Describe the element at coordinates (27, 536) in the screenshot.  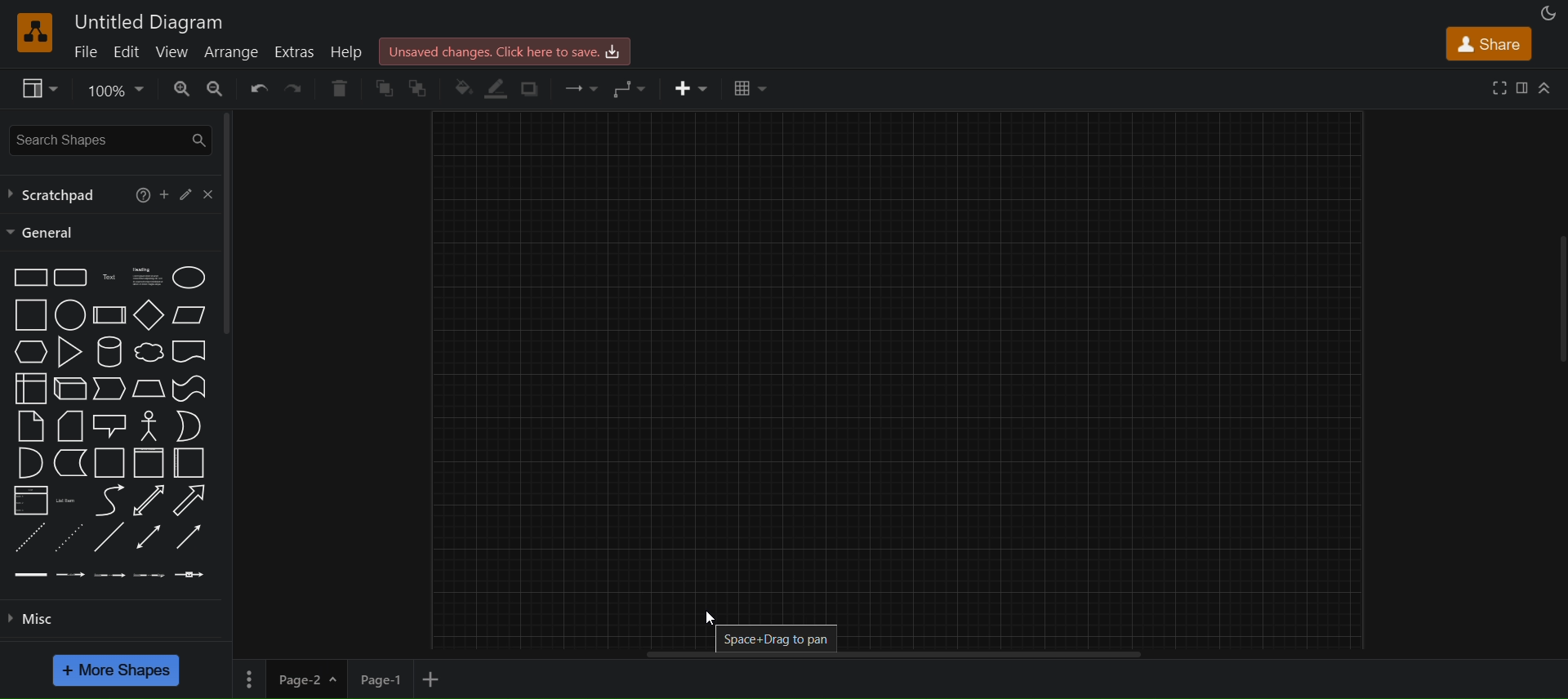
I see `dashed line` at that location.